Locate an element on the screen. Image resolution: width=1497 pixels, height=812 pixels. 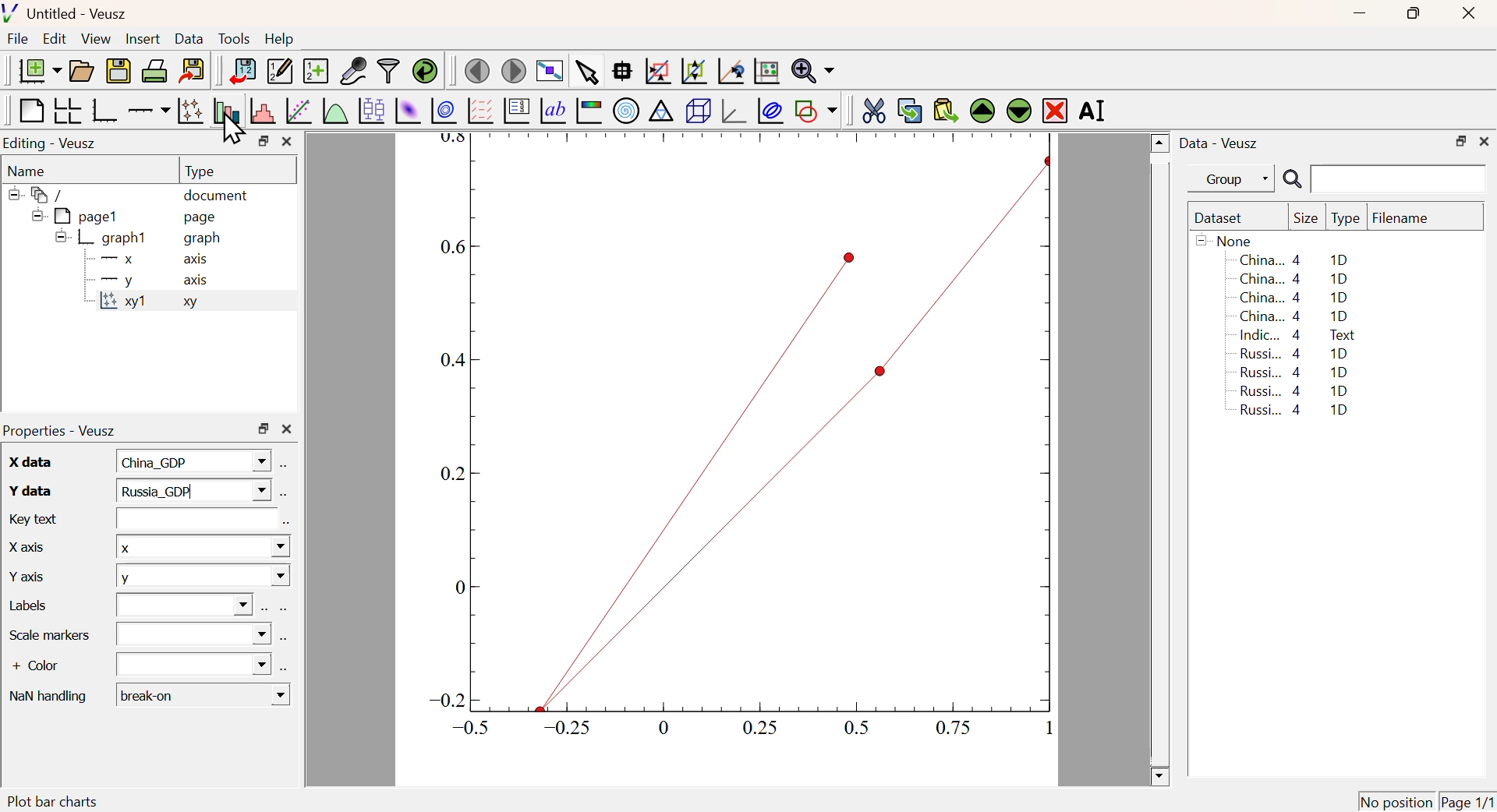
Plot Box Plots is located at coordinates (370, 110).